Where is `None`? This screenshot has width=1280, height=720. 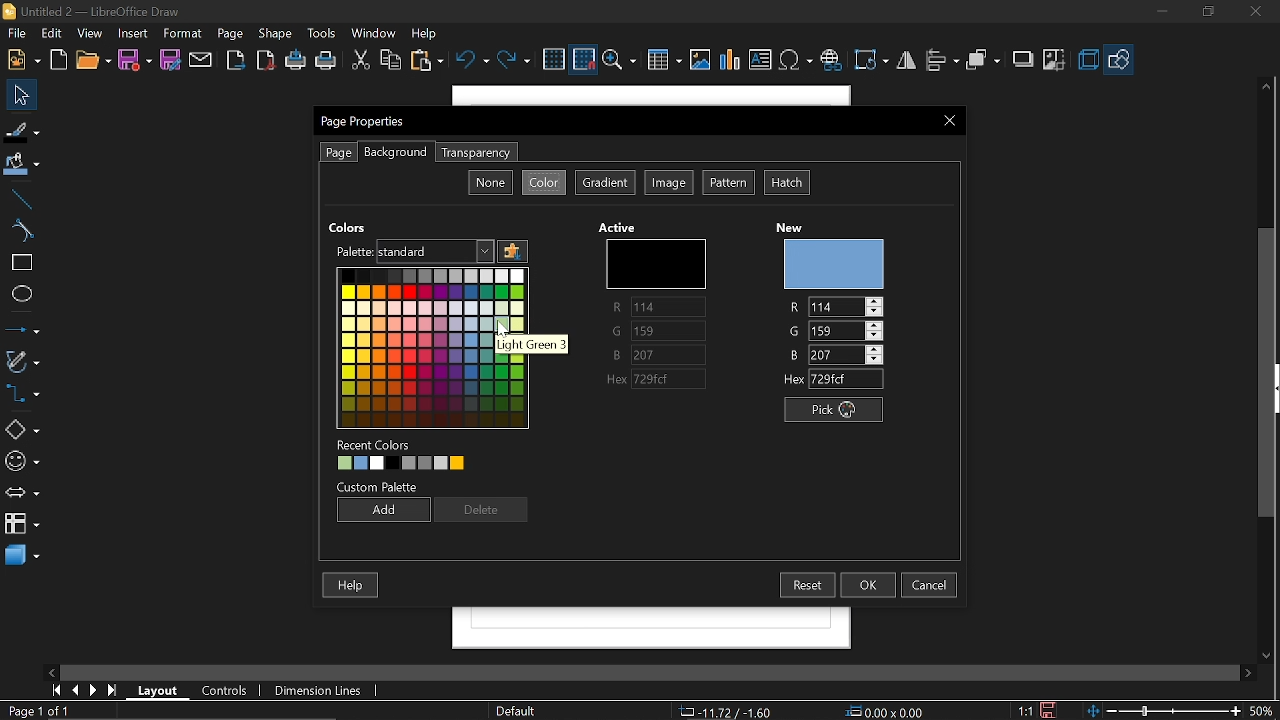 None is located at coordinates (490, 182).